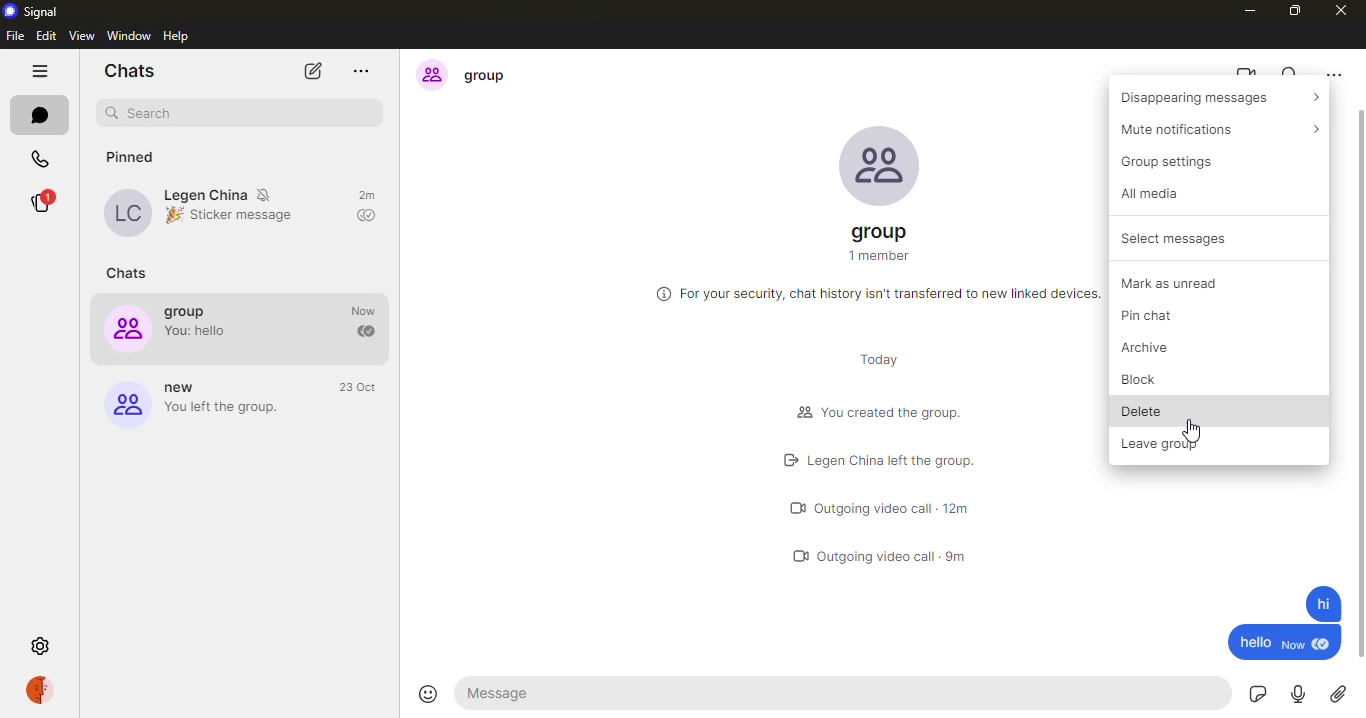 Image resolution: width=1366 pixels, height=718 pixels. I want to click on chats, so click(42, 115).